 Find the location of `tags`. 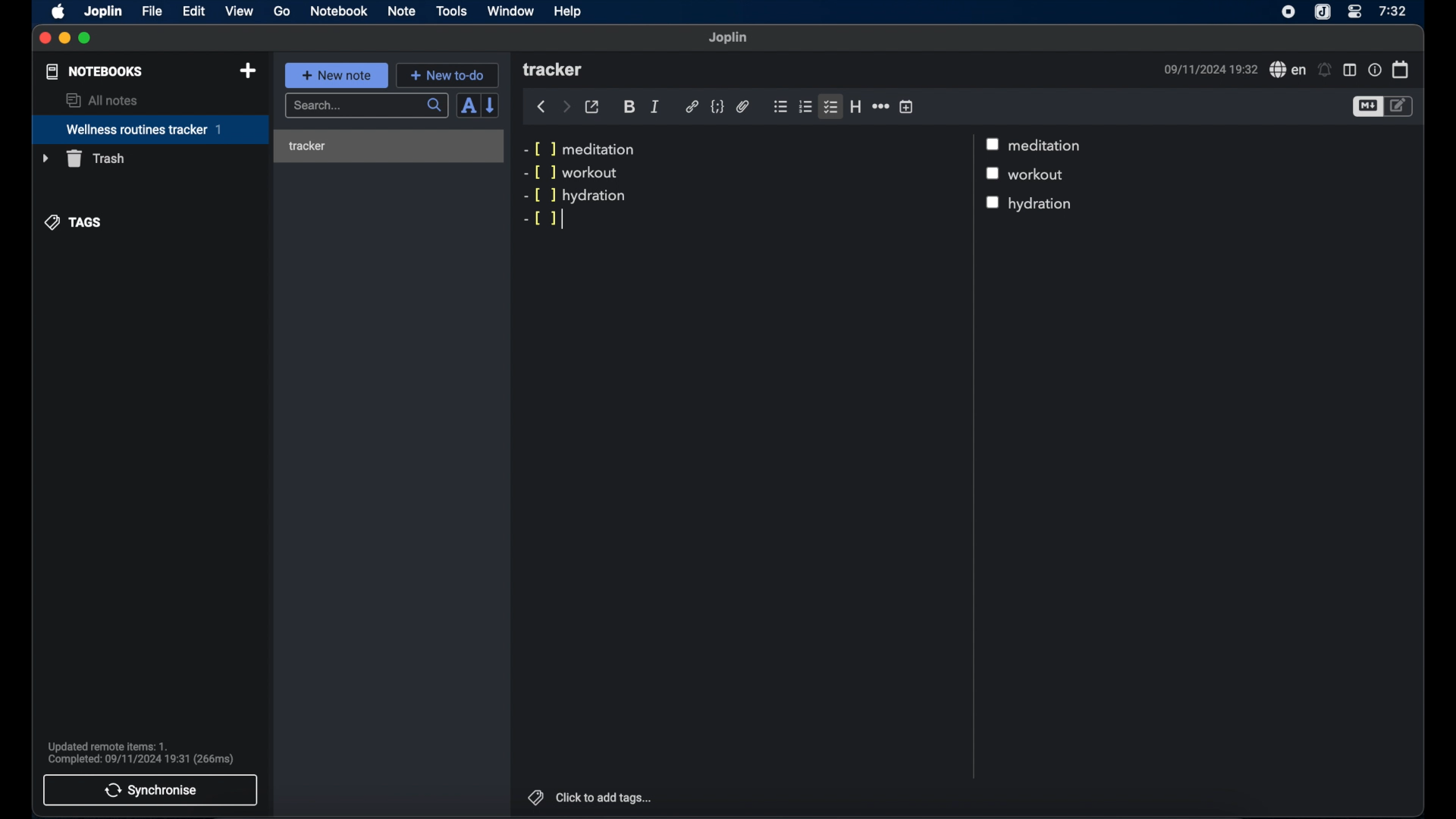

tags is located at coordinates (533, 795).